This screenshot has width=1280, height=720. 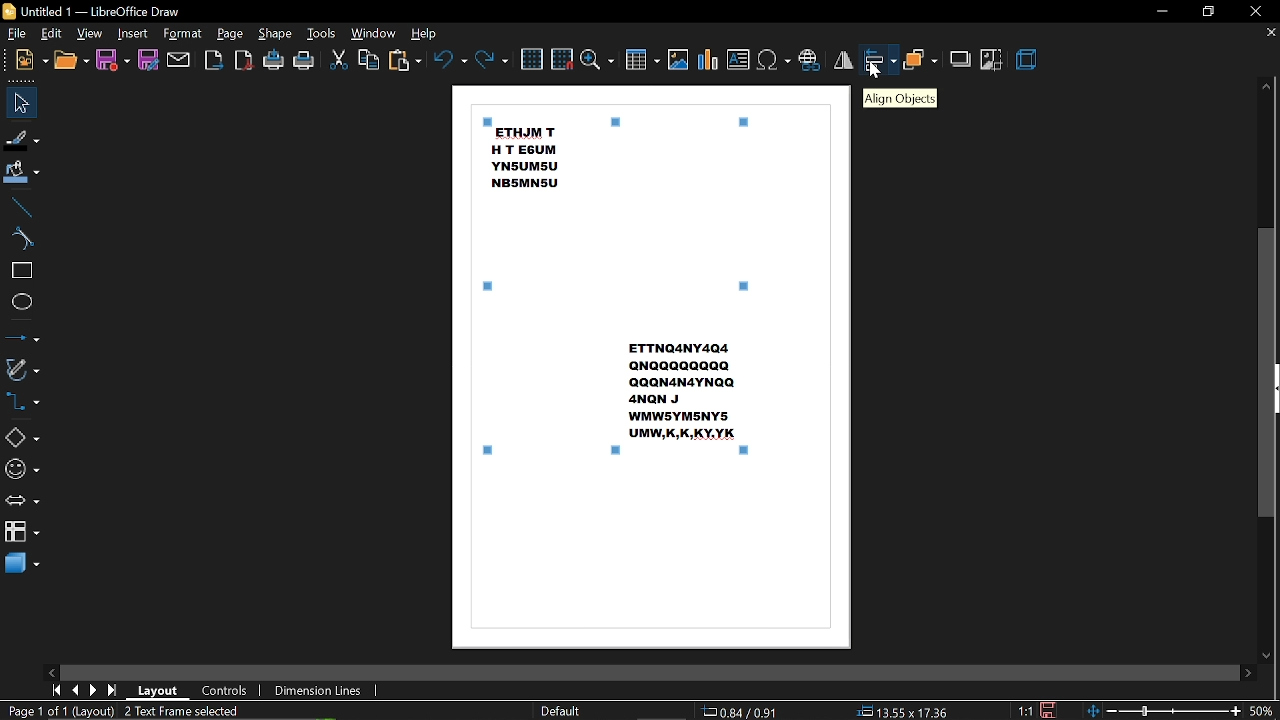 What do you see at coordinates (230, 33) in the screenshot?
I see `page` at bounding box center [230, 33].